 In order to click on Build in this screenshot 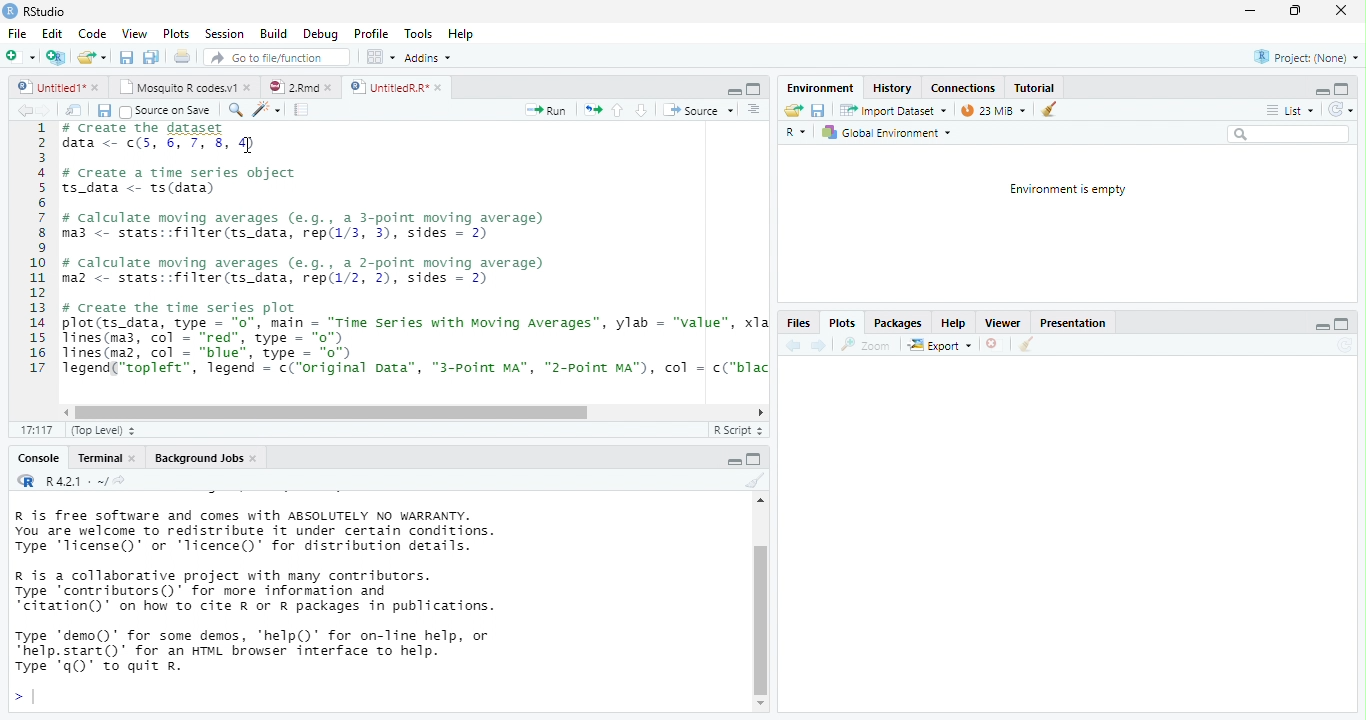, I will do `click(273, 34)`.